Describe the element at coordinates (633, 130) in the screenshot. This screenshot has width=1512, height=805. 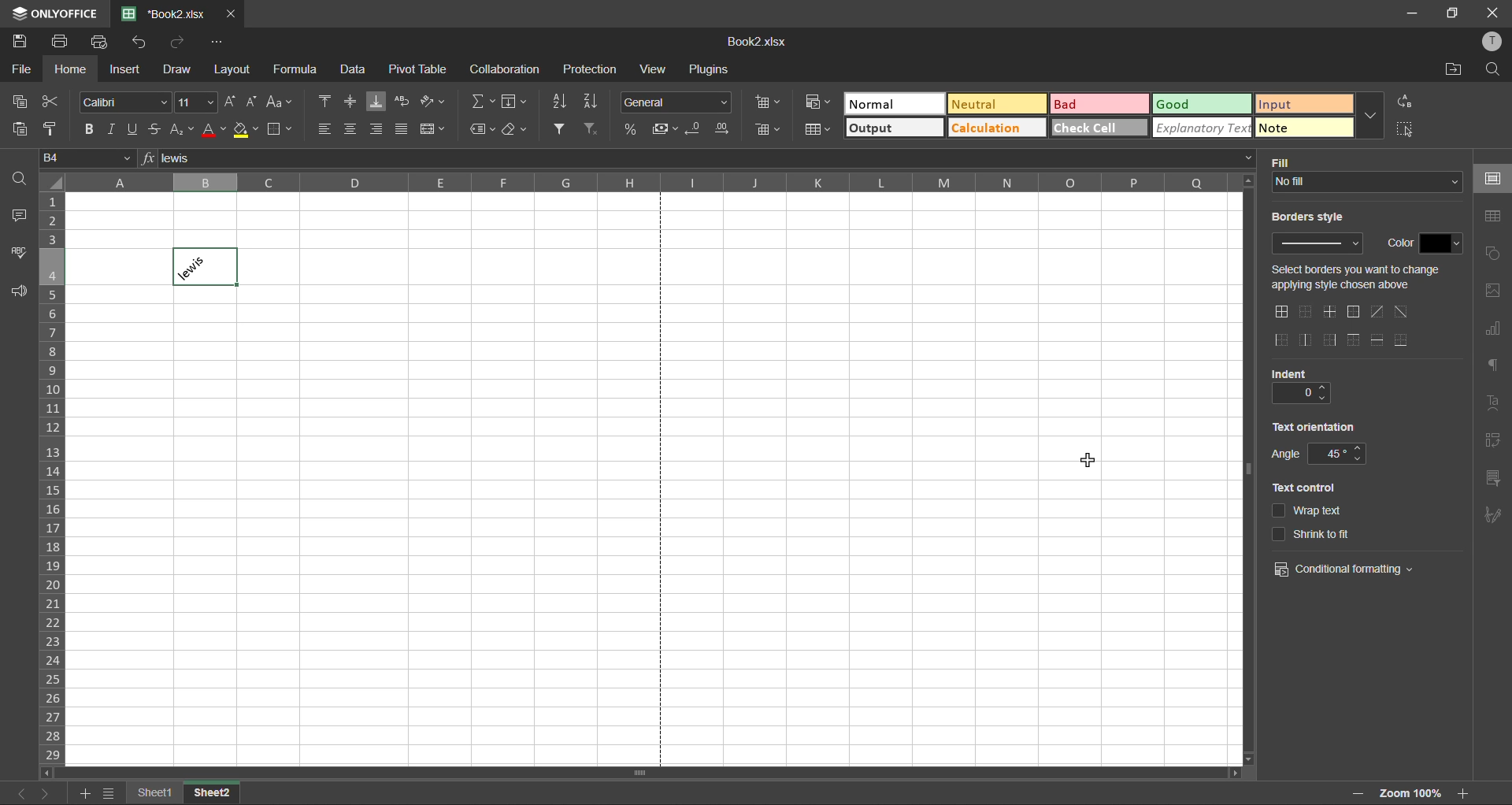
I see `percent` at that location.